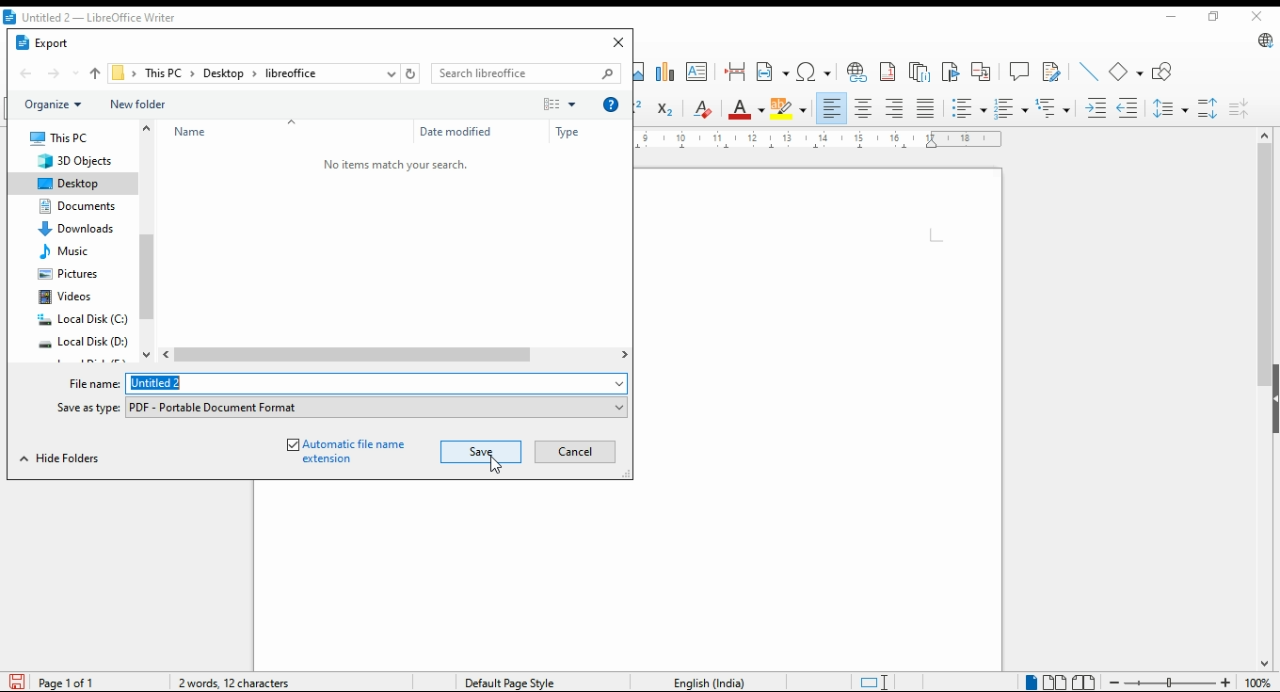  Describe the element at coordinates (617, 40) in the screenshot. I see `close window` at that location.